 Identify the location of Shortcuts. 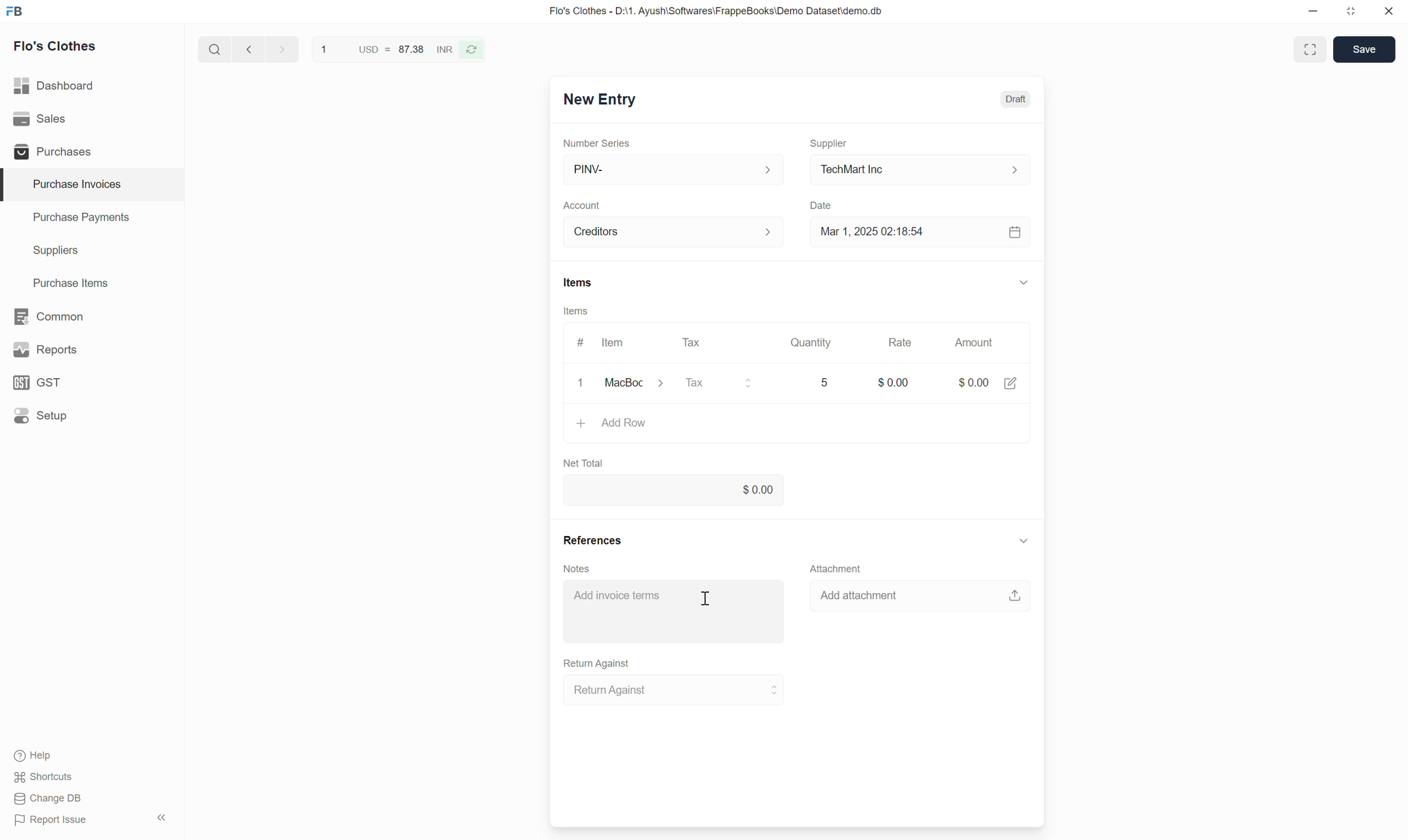
(44, 777).